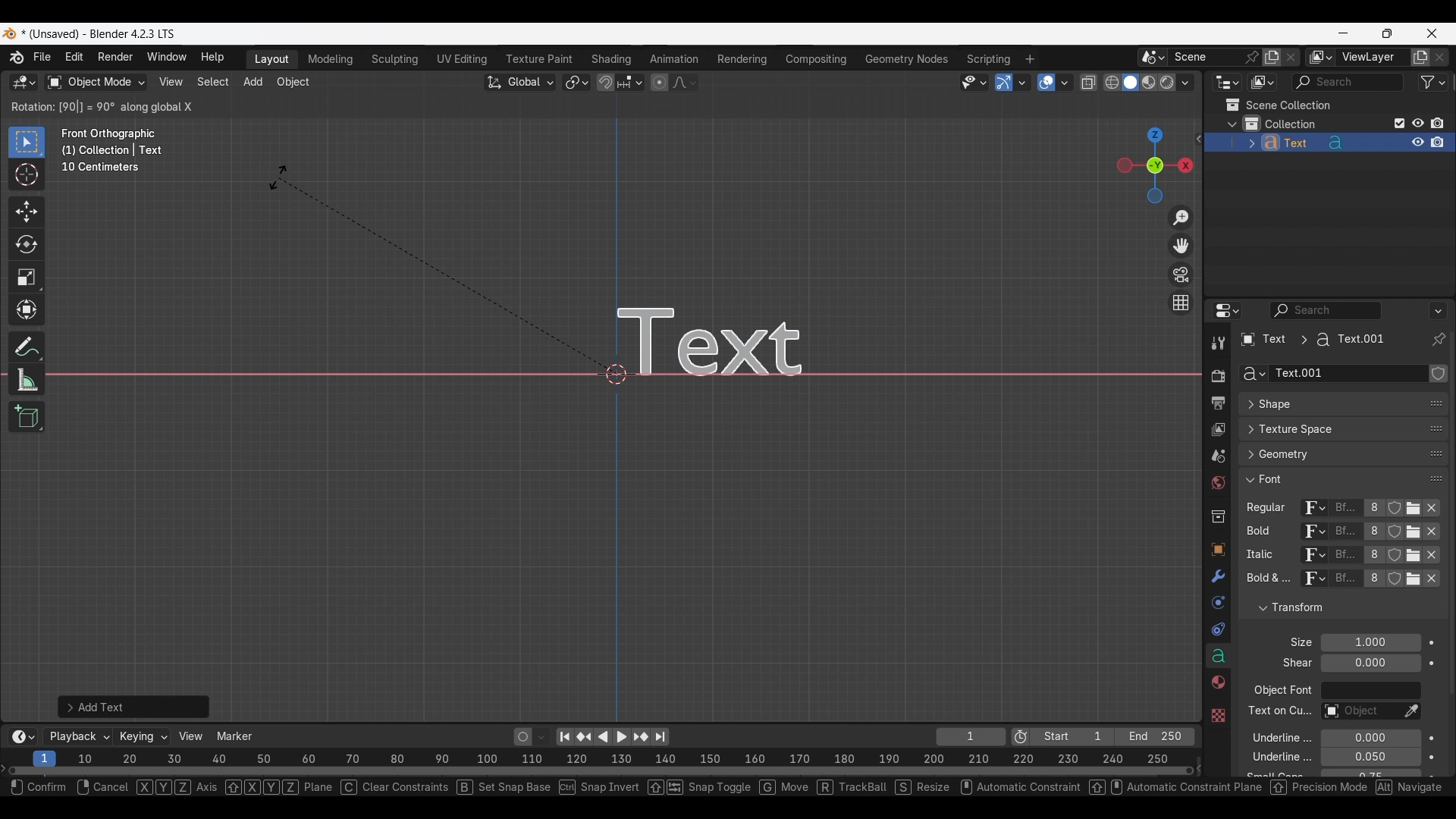 This screenshot has width=1456, height=819. What do you see at coordinates (661, 737) in the screenshot?
I see `Jump to end point` at bounding box center [661, 737].